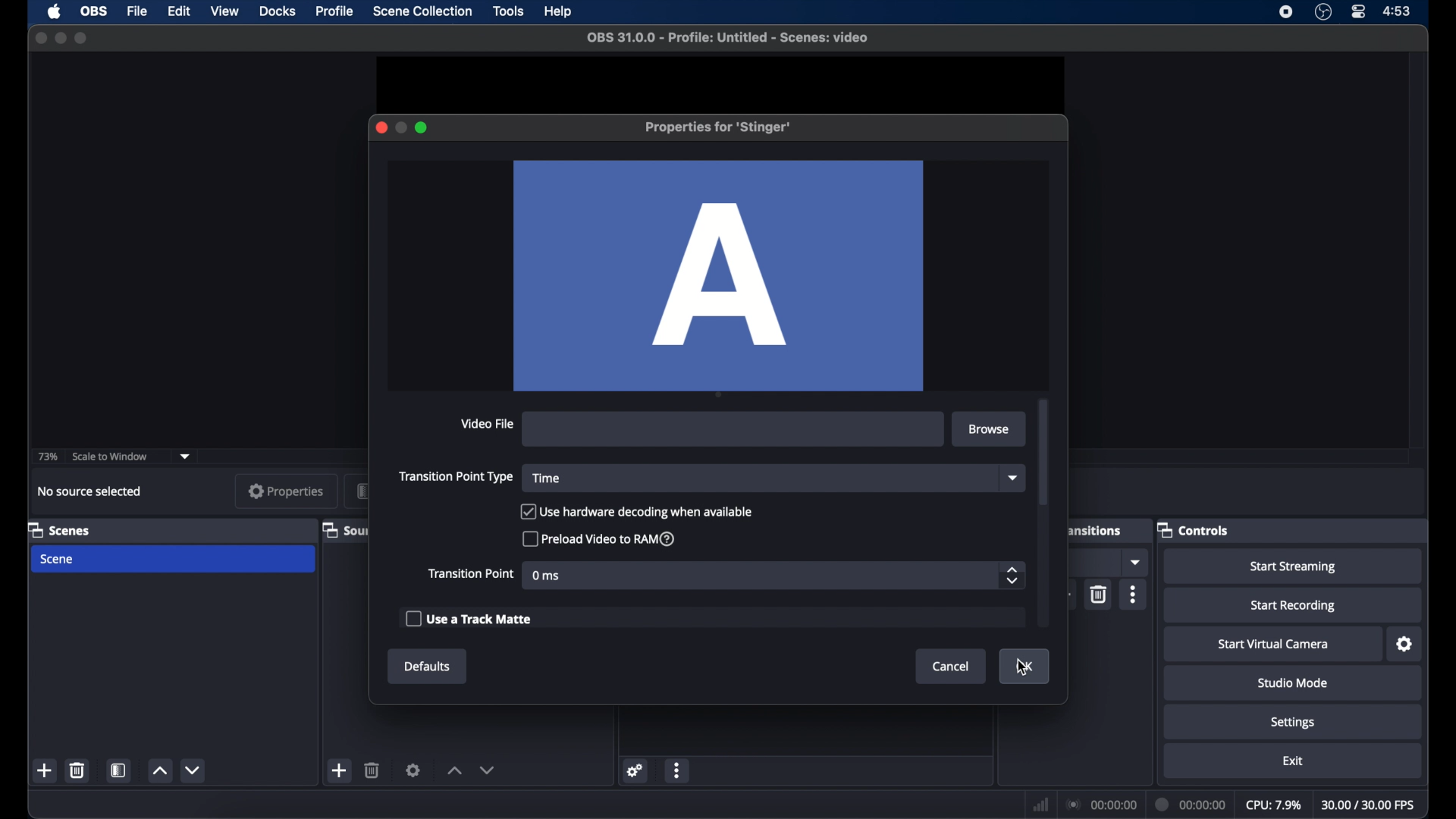 This screenshot has height=819, width=1456. I want to click on apple icon, so click(55, 12).